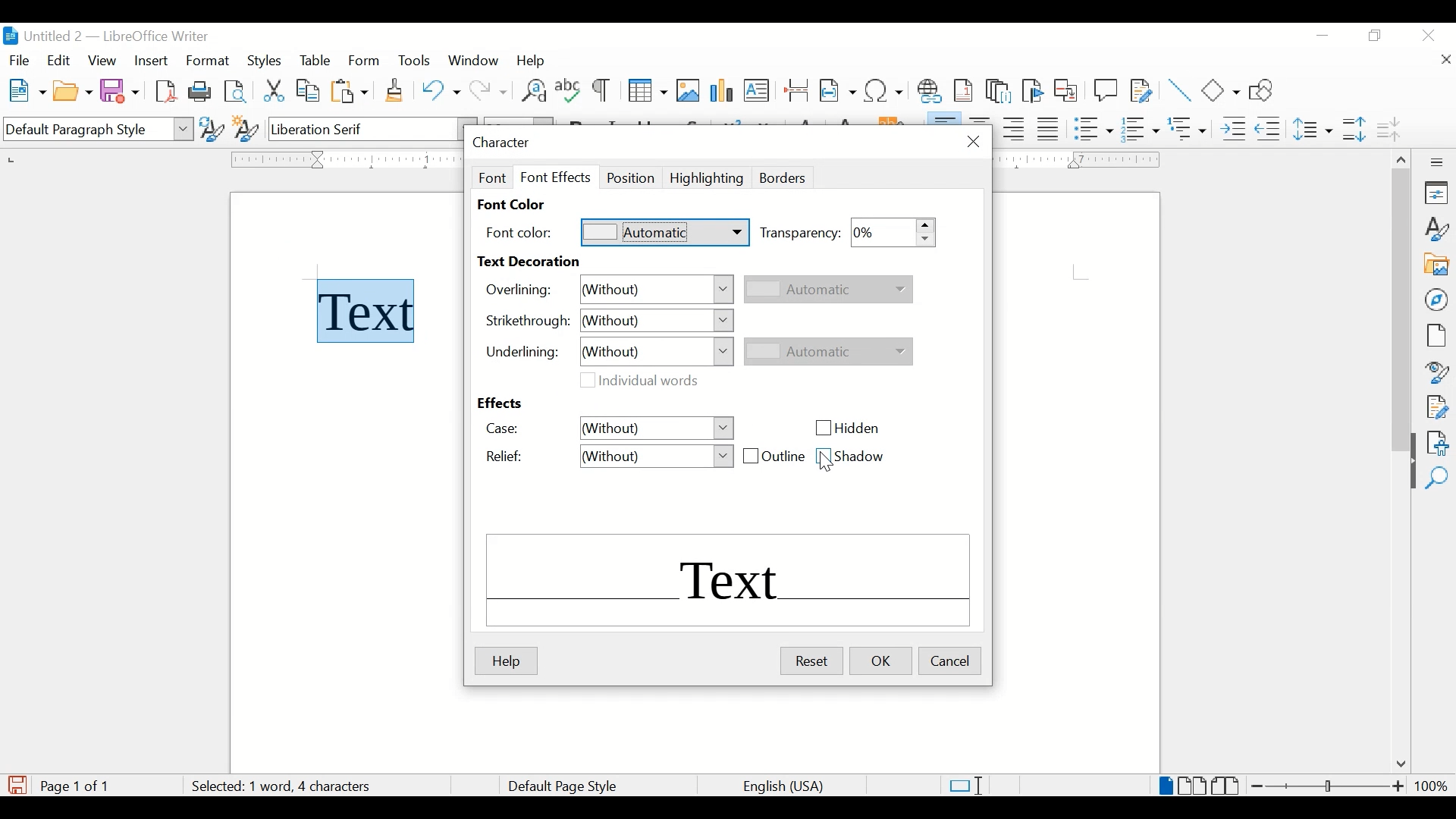 The height and width of the screenshot is (819, 1456). What do you see at coordinates (1438, 229) in the screenshot?
I see `styles` at bounding box center [1438, 229].